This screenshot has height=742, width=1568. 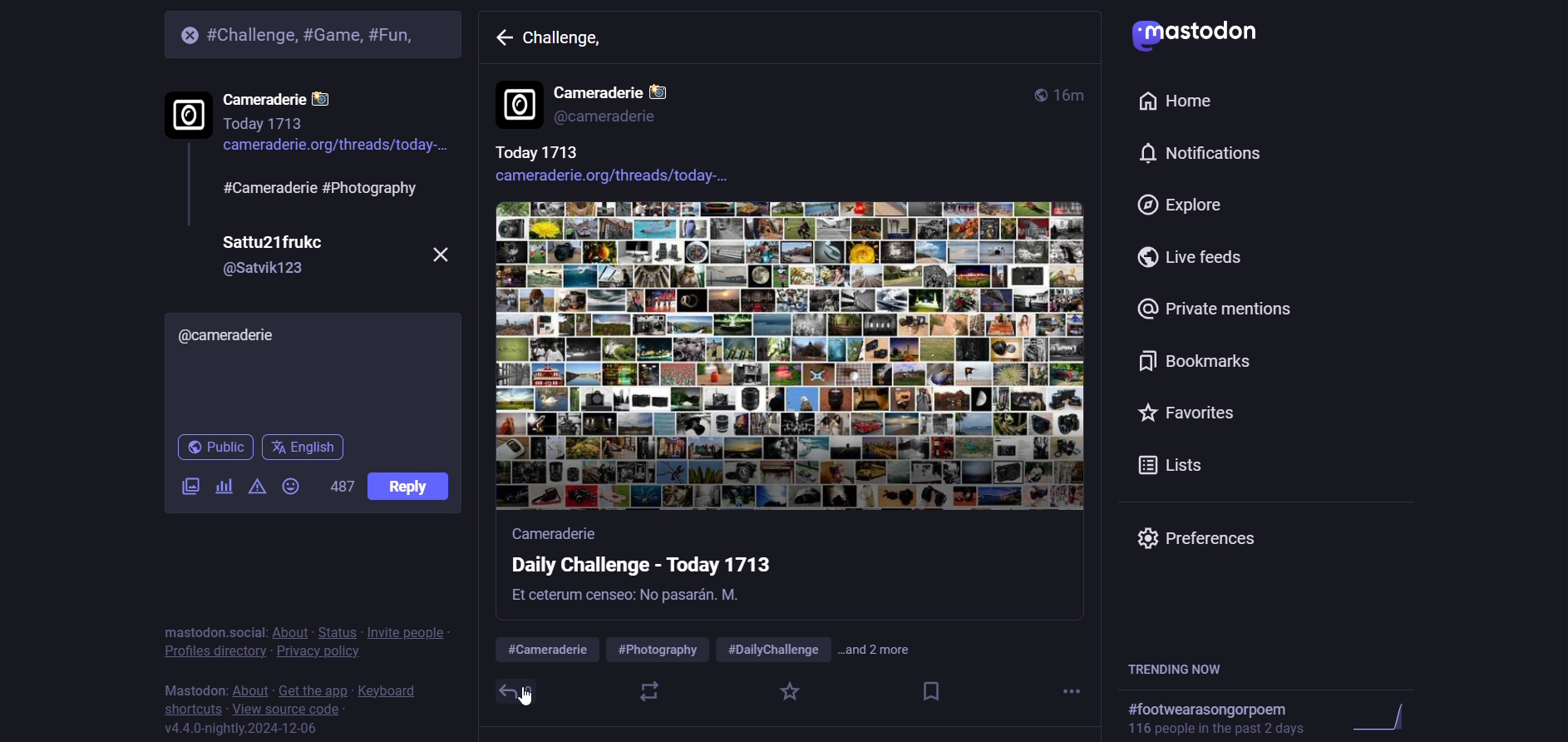 What do you see at coordinates (931, 693) in the screenshot?
I see `bookmark` at bounding box center [931, 693].